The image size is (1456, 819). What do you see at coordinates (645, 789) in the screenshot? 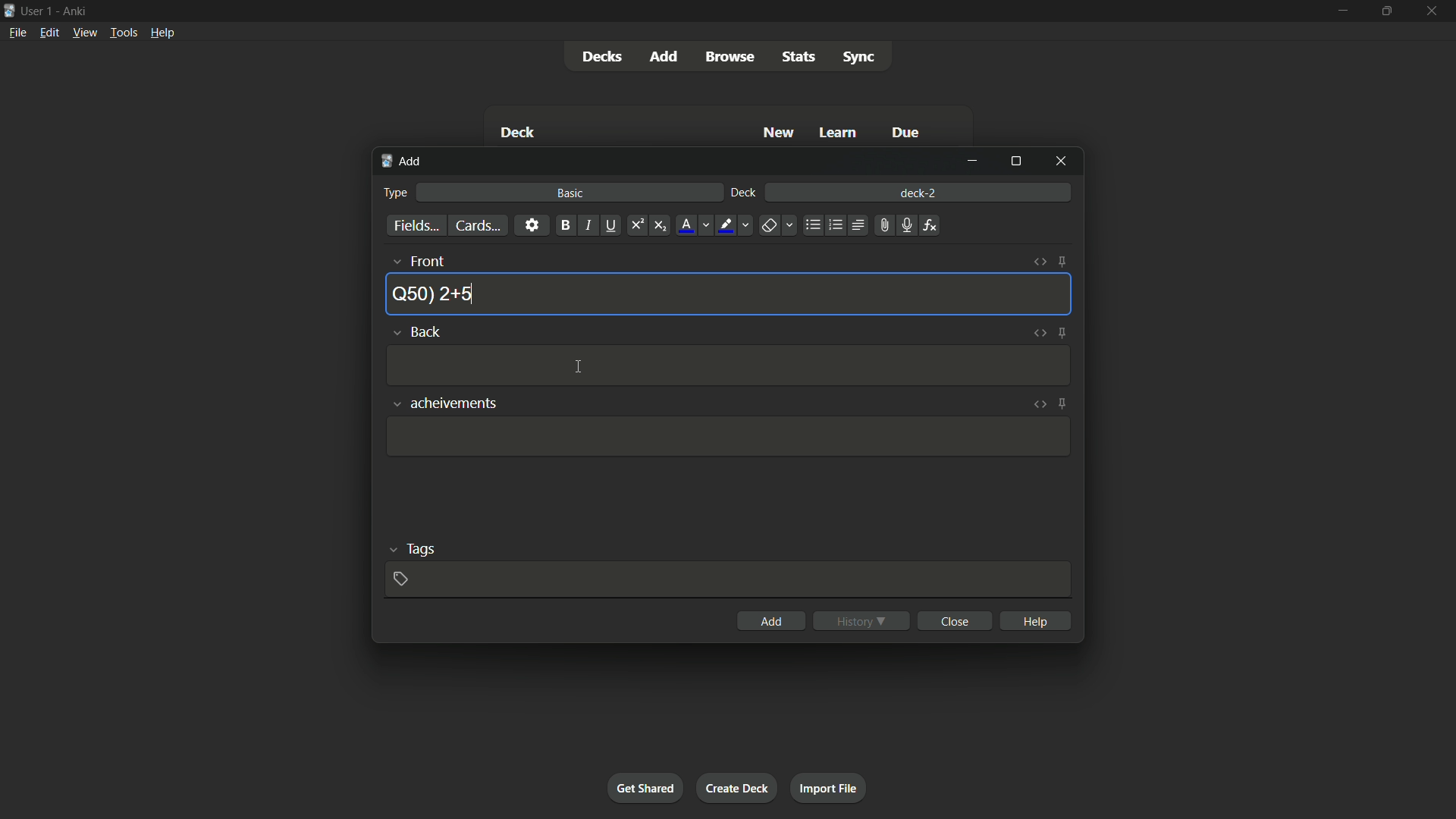
I see `get shared` at bounding box center [645, 789].